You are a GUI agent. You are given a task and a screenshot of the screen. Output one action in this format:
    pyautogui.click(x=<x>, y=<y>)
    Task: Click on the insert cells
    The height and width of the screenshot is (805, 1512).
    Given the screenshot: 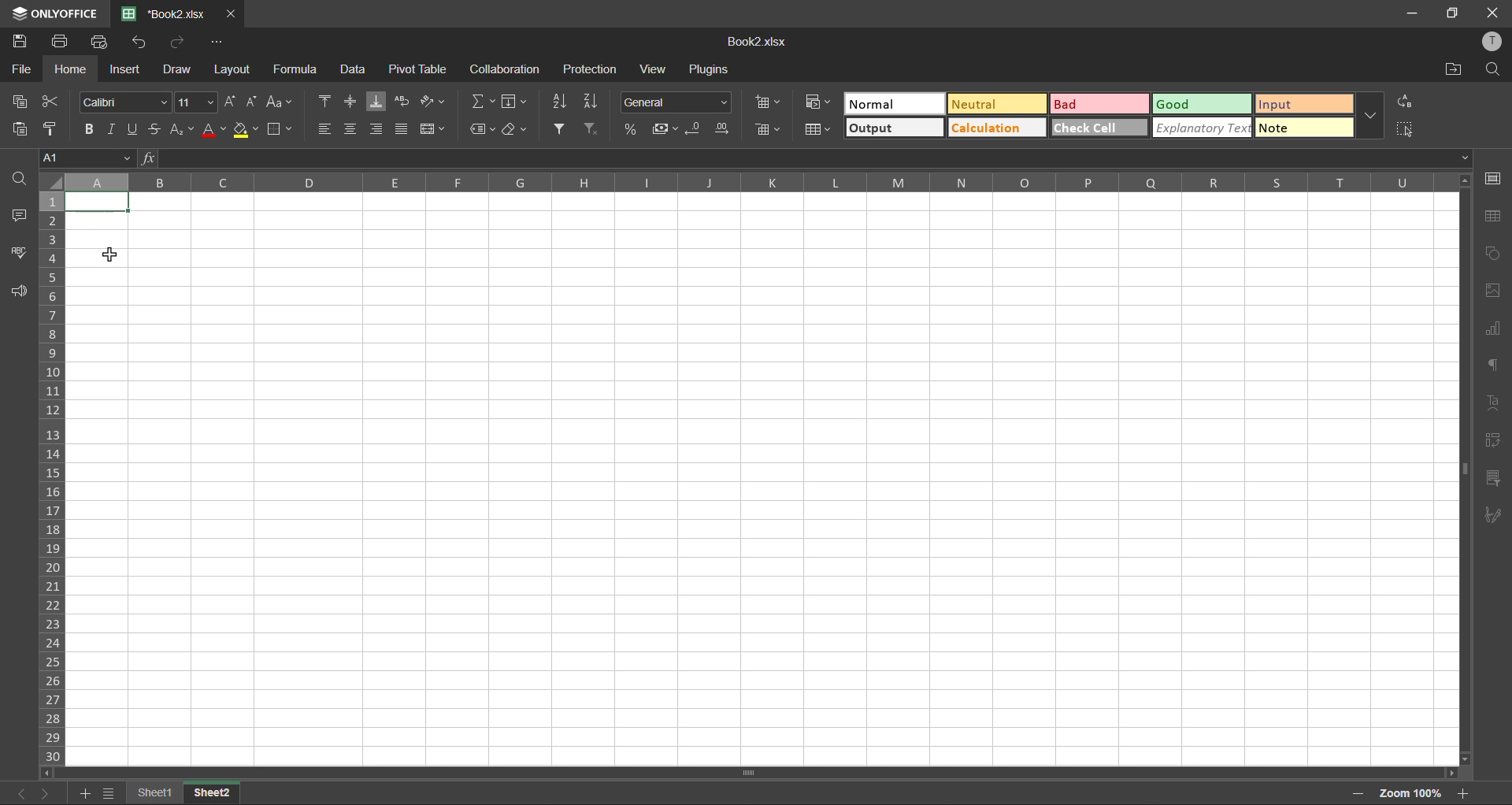 What is the action you would take?
    pyautogui.click(x=773, y=103)
    